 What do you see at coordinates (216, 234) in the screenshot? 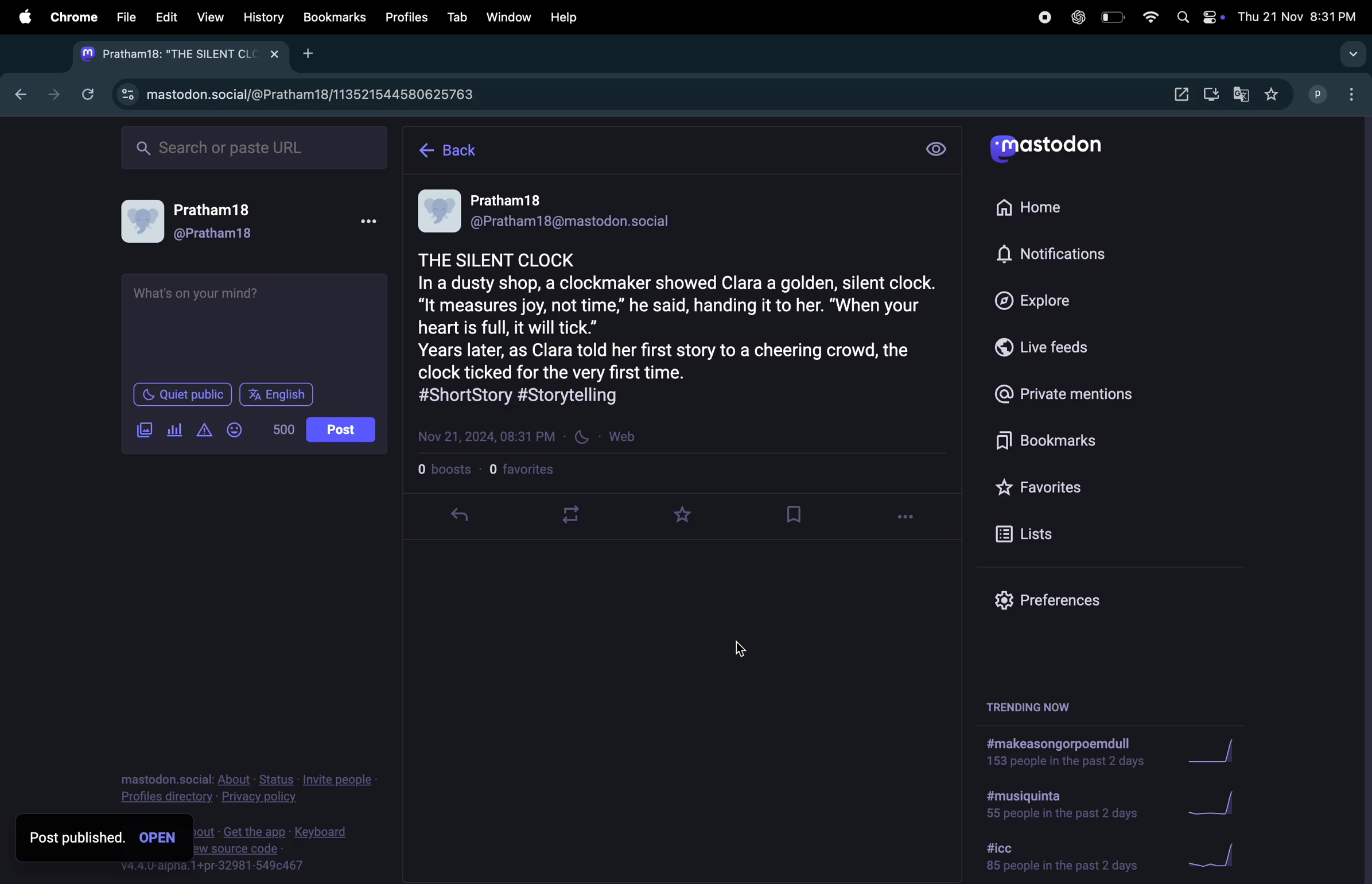
I see `user` at bounding box center [216, 234].